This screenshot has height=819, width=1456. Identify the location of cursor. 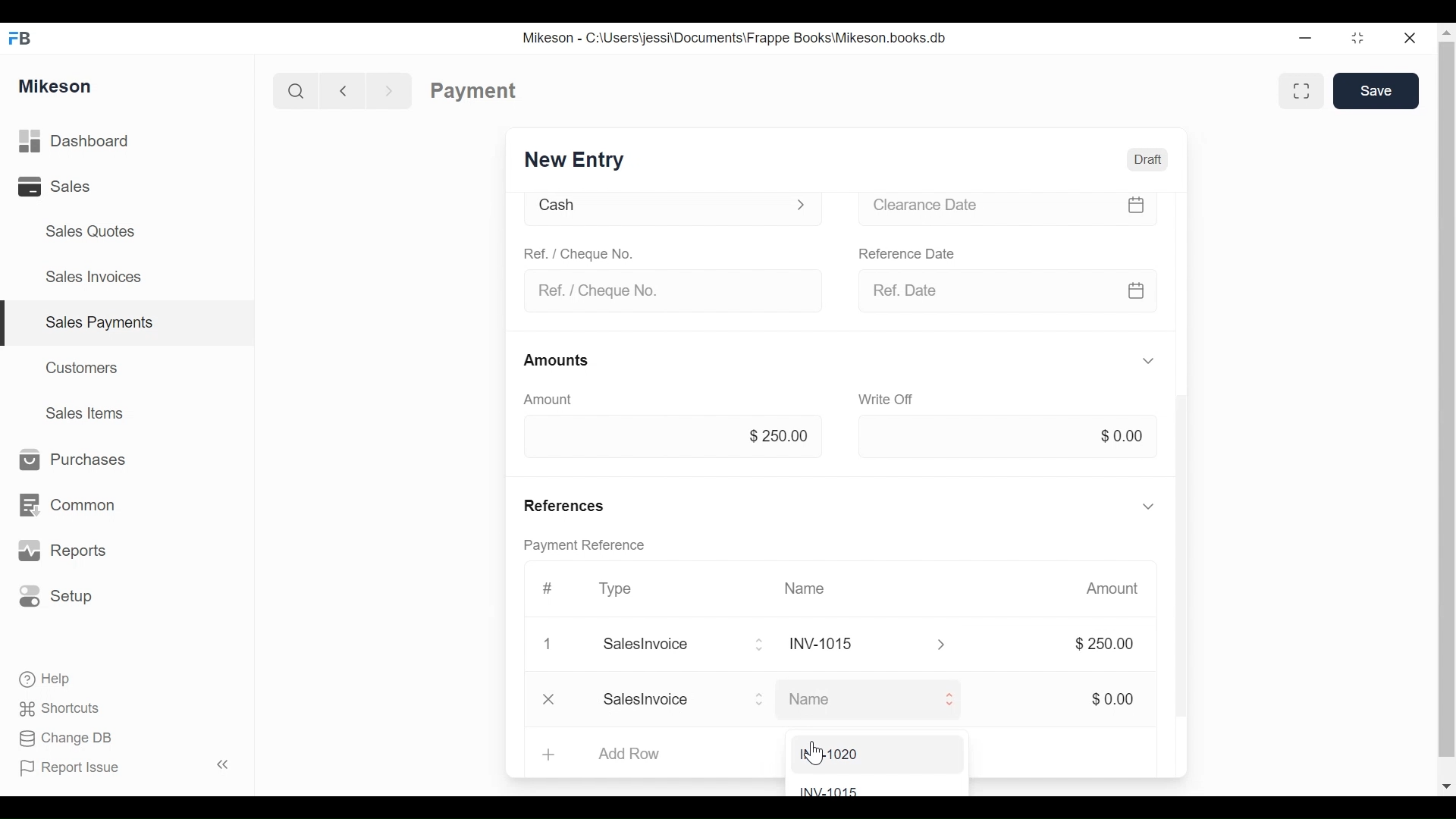
(813, 754).